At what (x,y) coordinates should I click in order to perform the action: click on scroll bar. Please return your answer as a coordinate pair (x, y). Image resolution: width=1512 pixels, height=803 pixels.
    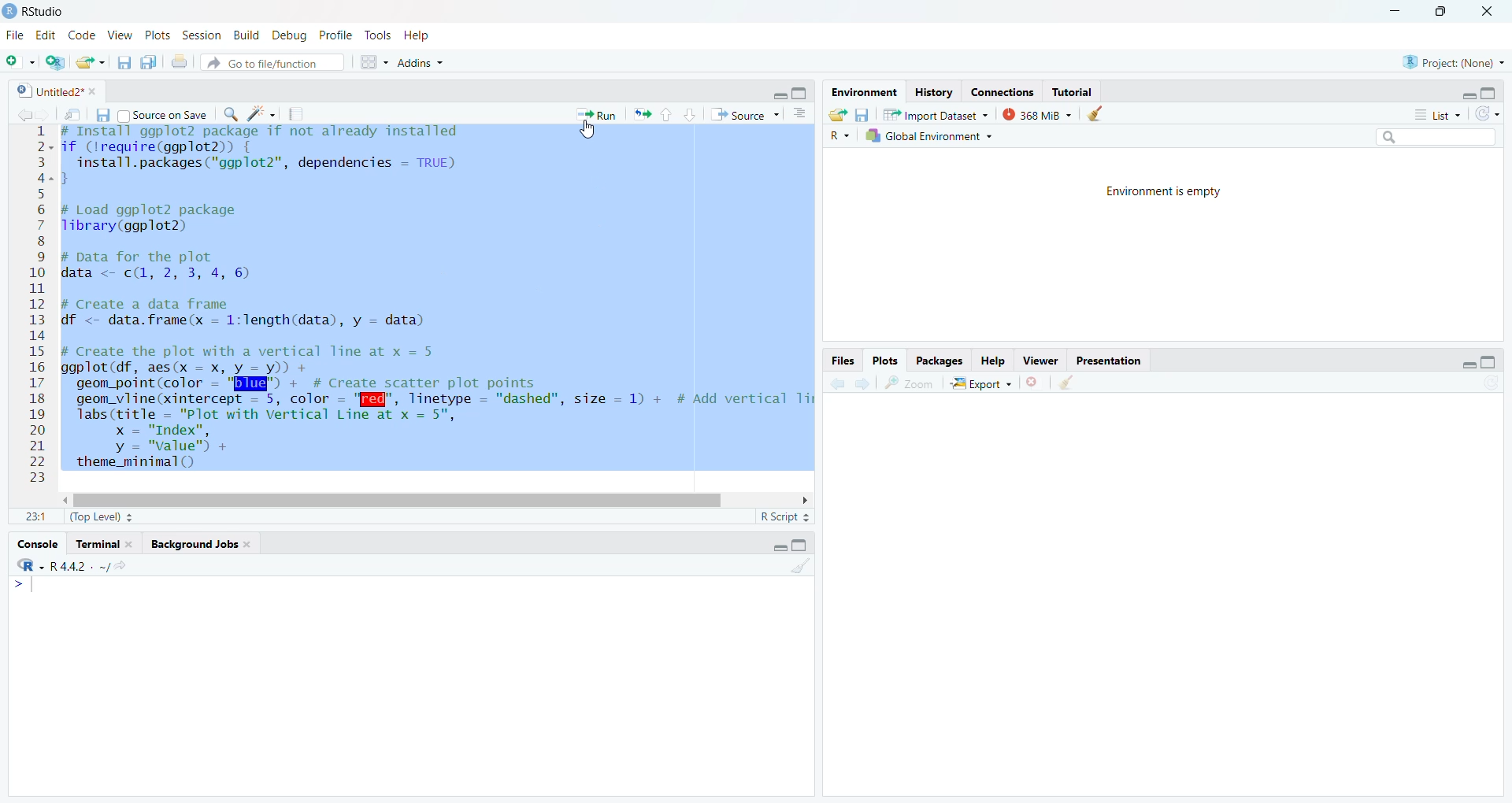
    Looking at the image, I should click on (419, 498).